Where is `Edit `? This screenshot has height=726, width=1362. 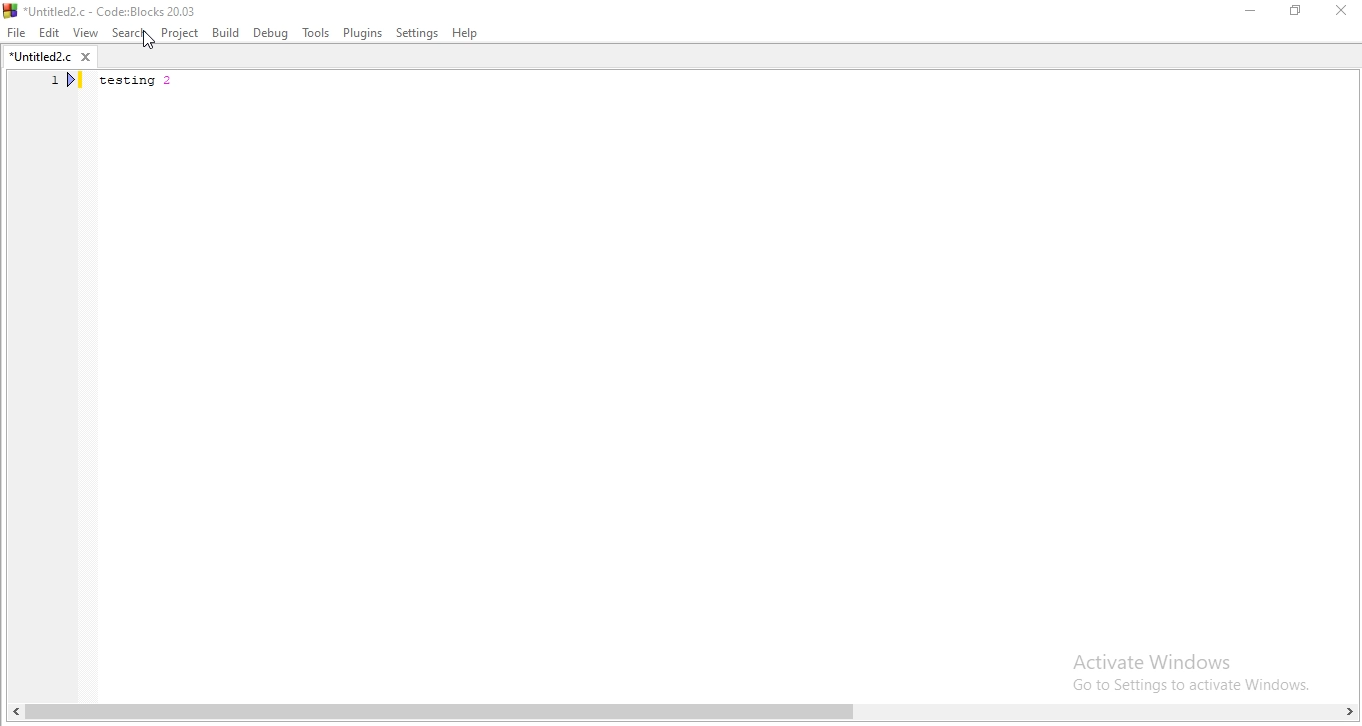 Edit  is located at coordinates (49, 33).